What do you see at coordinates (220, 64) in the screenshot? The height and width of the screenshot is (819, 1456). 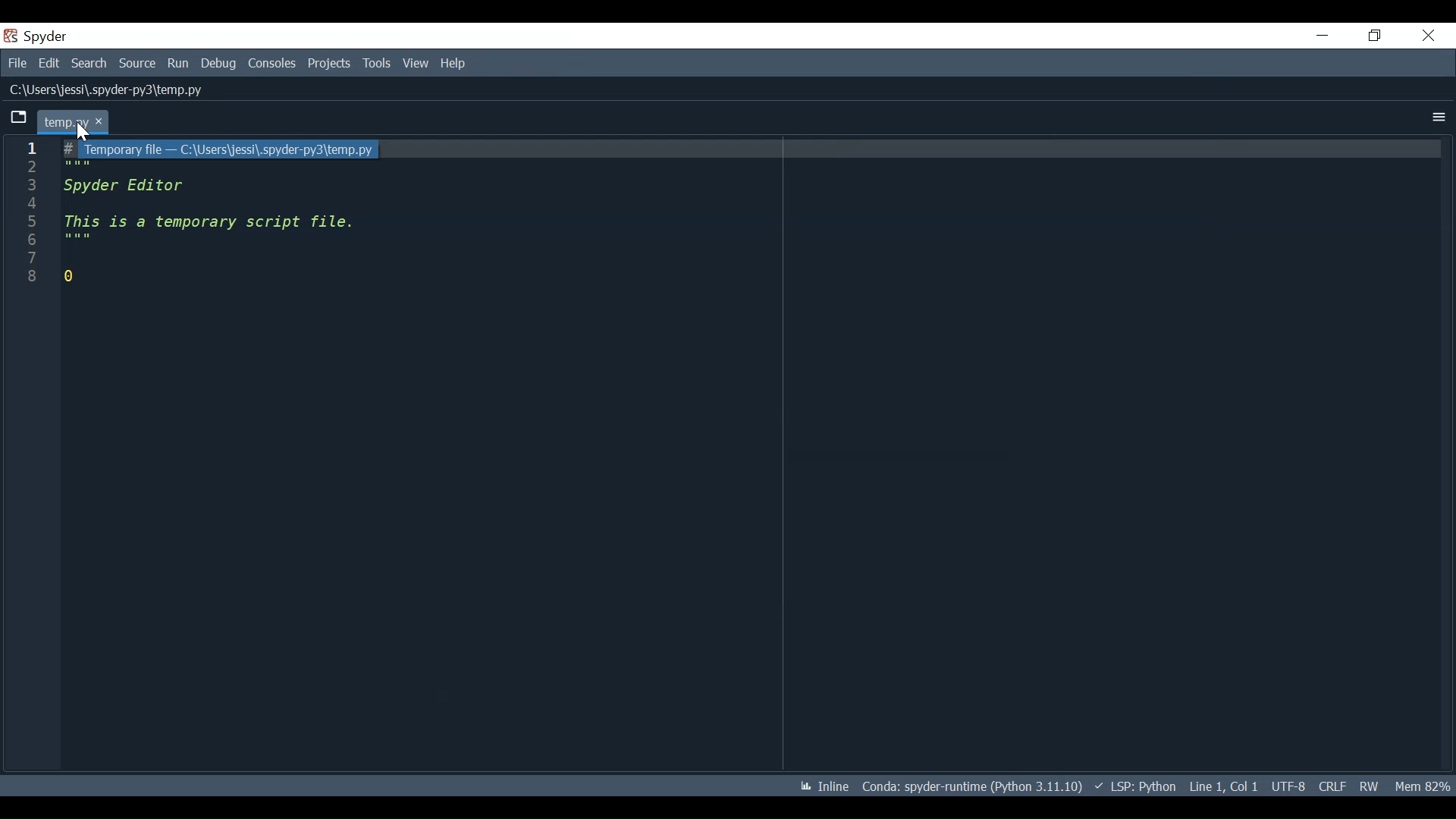 I see `Debug` at bounding box center [220, 64].